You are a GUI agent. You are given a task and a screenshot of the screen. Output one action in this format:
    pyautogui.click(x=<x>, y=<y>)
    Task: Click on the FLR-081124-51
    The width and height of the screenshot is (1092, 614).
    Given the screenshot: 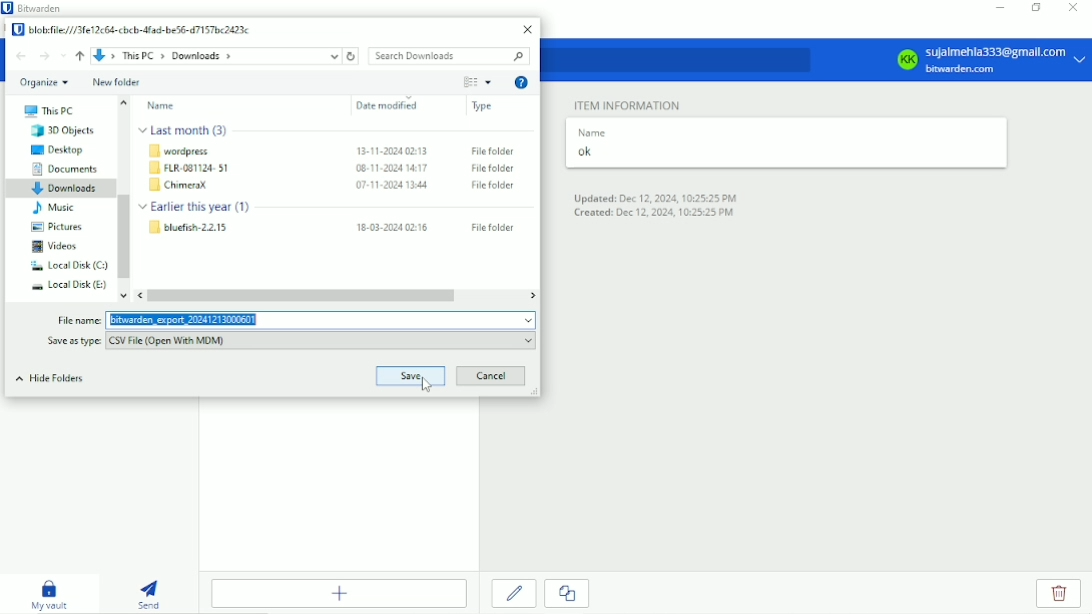 What is the action you would take?
    pyautogui.click(x=190, y=168)
    